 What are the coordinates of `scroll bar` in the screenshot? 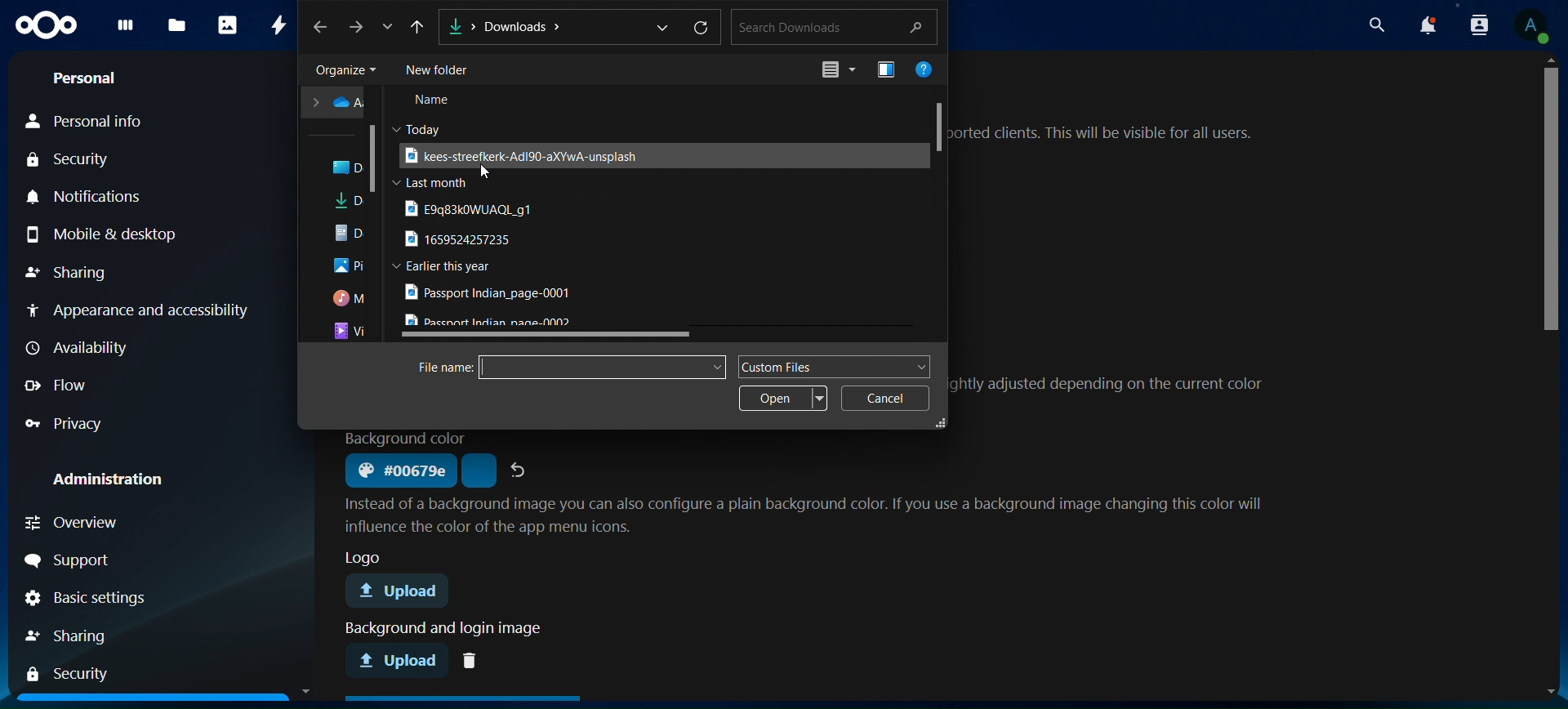 It's located at (940, 125).